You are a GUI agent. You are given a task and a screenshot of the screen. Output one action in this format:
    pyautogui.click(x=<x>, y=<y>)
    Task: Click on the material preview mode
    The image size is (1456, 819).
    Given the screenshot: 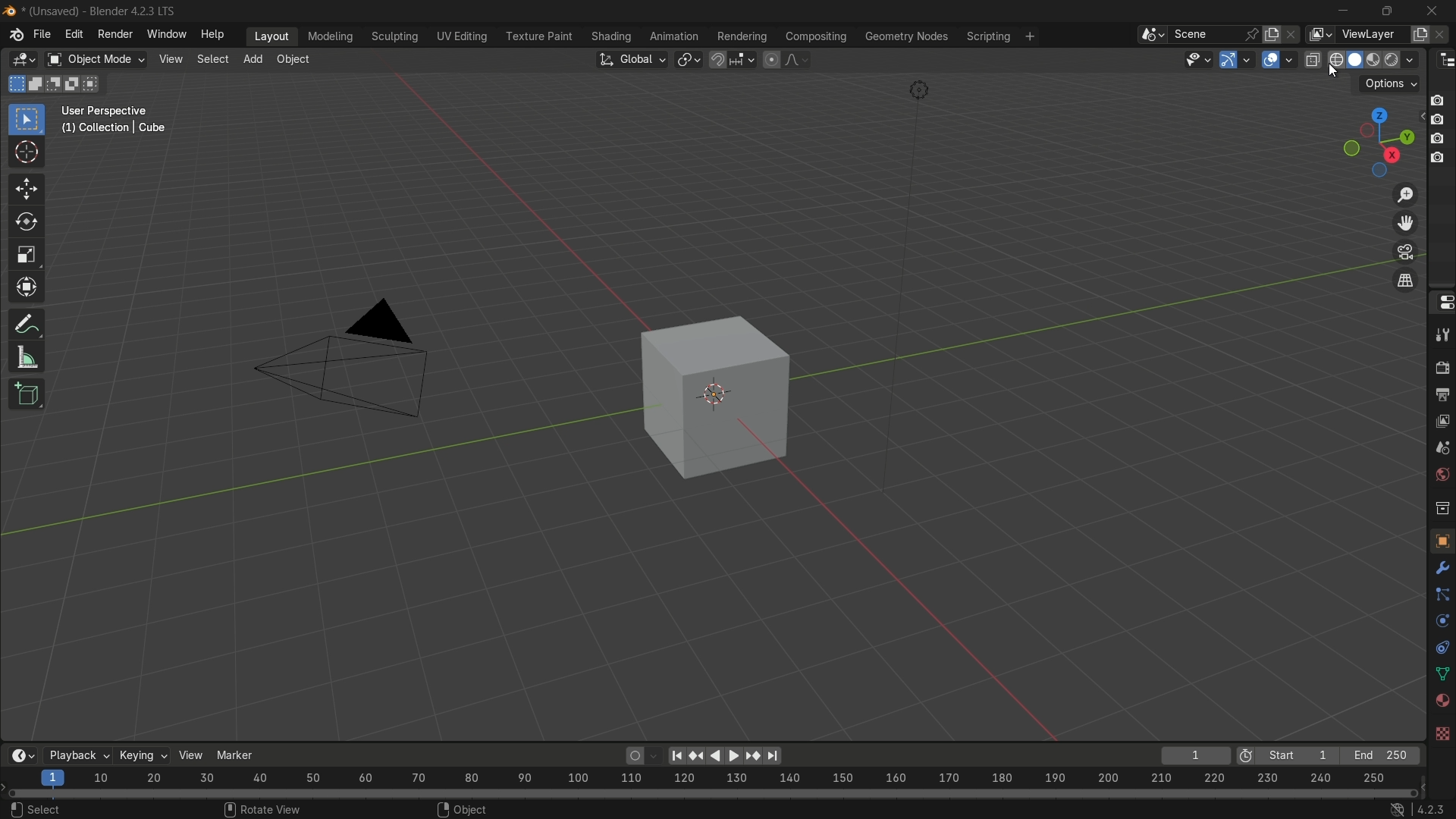 What is the action you would take?
    pyautogui.click(x=1374, y=58)
    